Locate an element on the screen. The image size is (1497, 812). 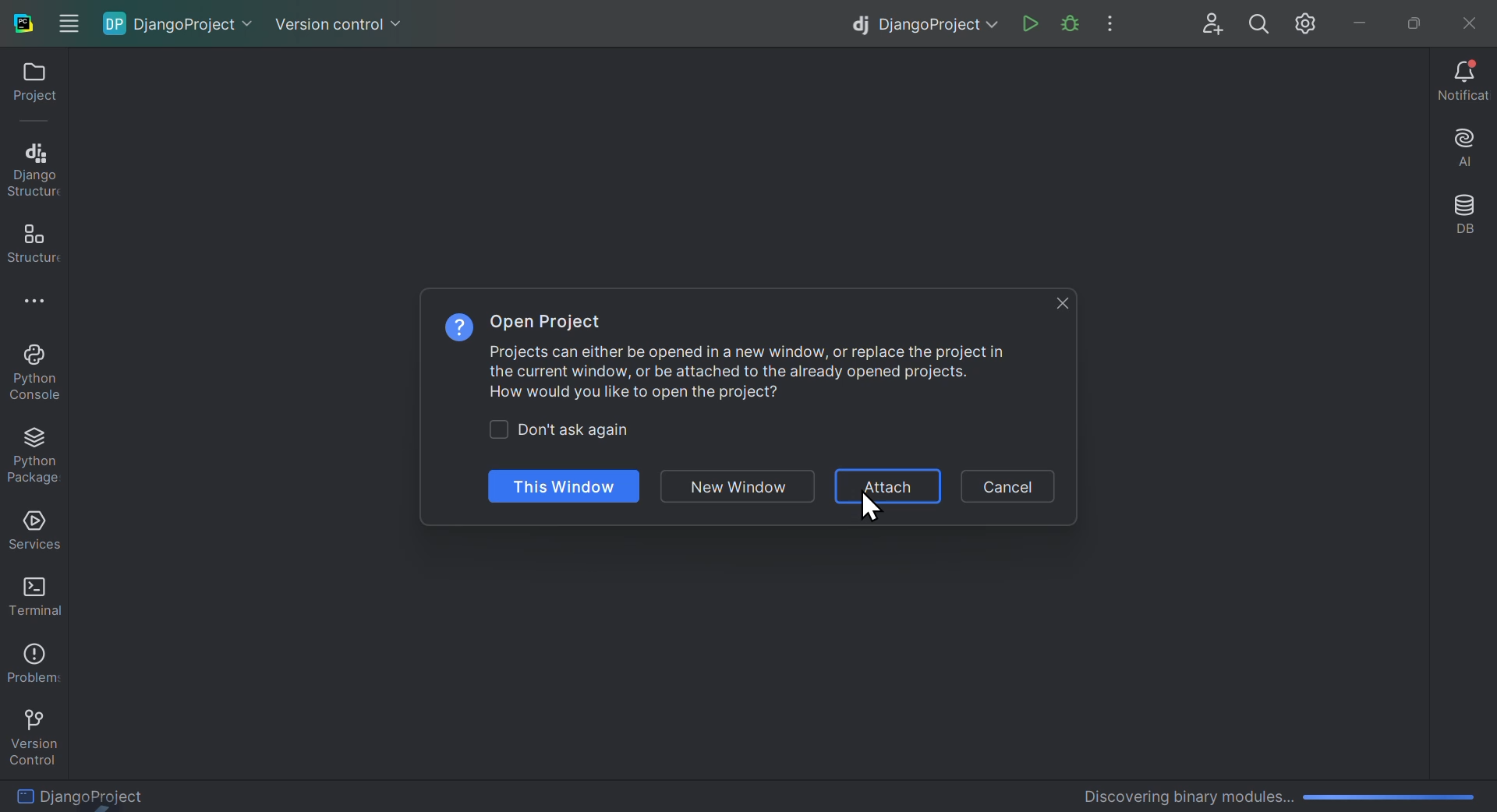
Services is located at coordinates (31, 531).